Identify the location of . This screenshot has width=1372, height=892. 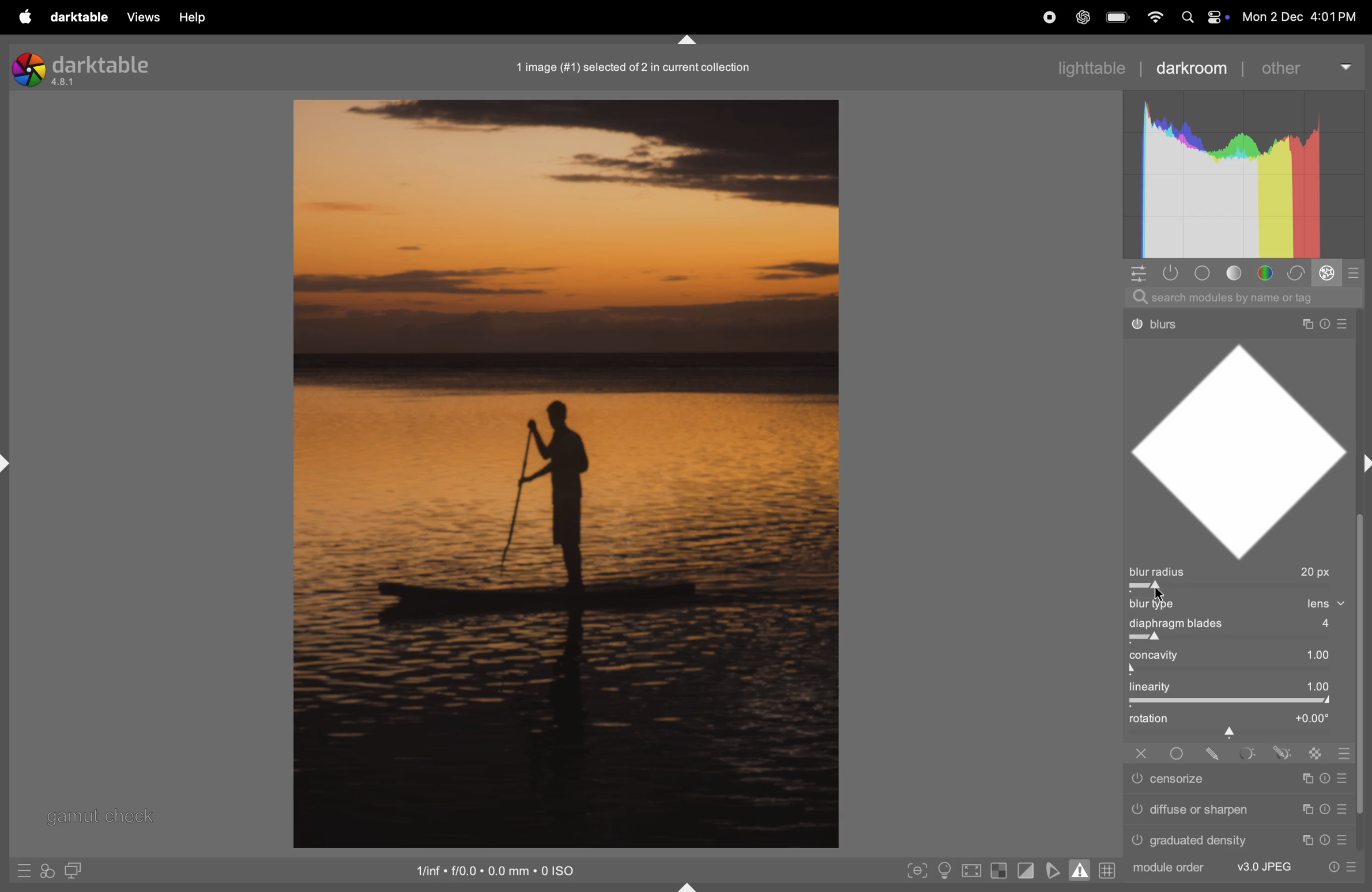
(1317, 753).